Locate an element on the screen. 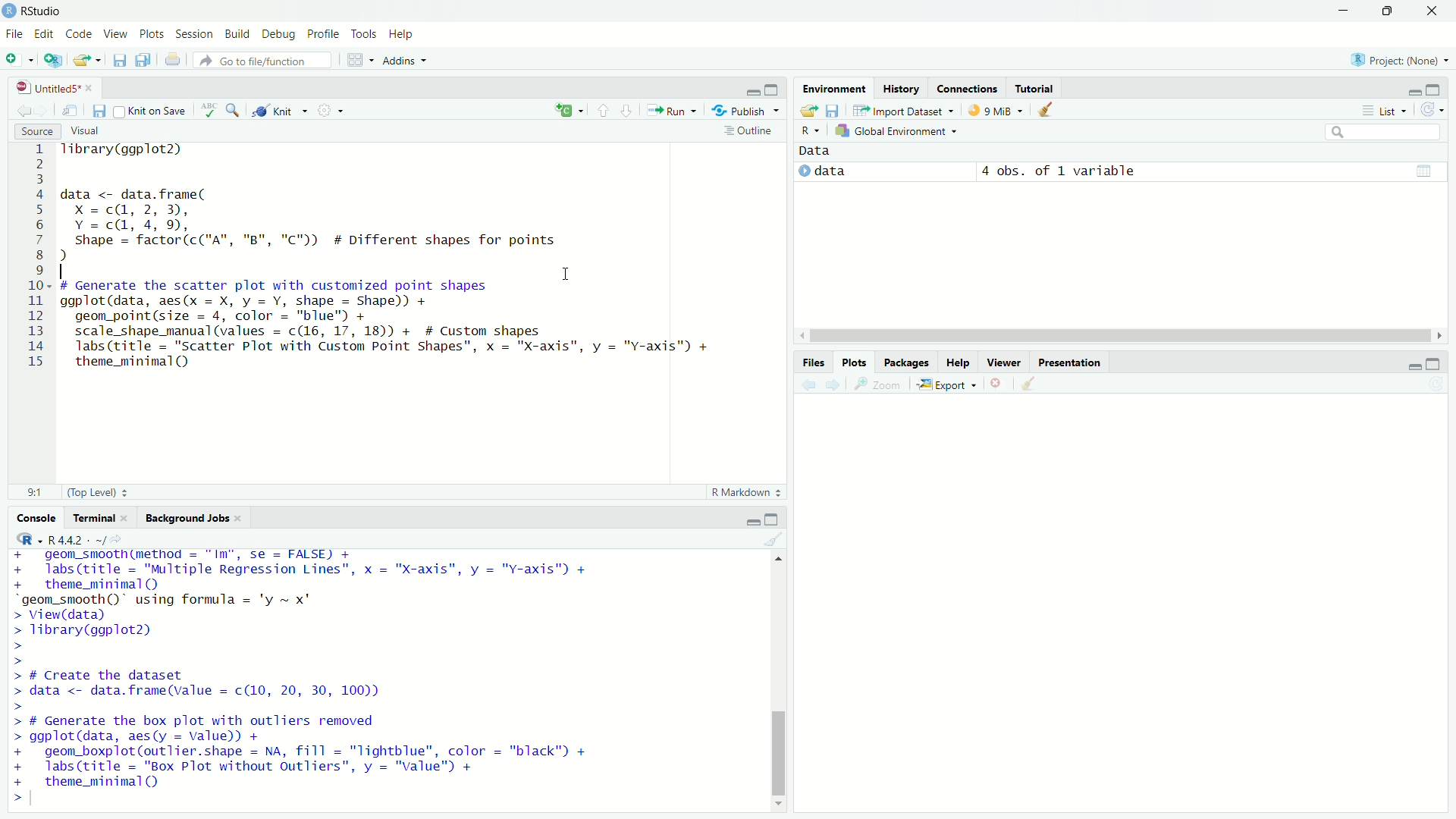 Image resolution: width=1456 pixels, height=819 pixels. maximize is located at coordinates (1433, 364).